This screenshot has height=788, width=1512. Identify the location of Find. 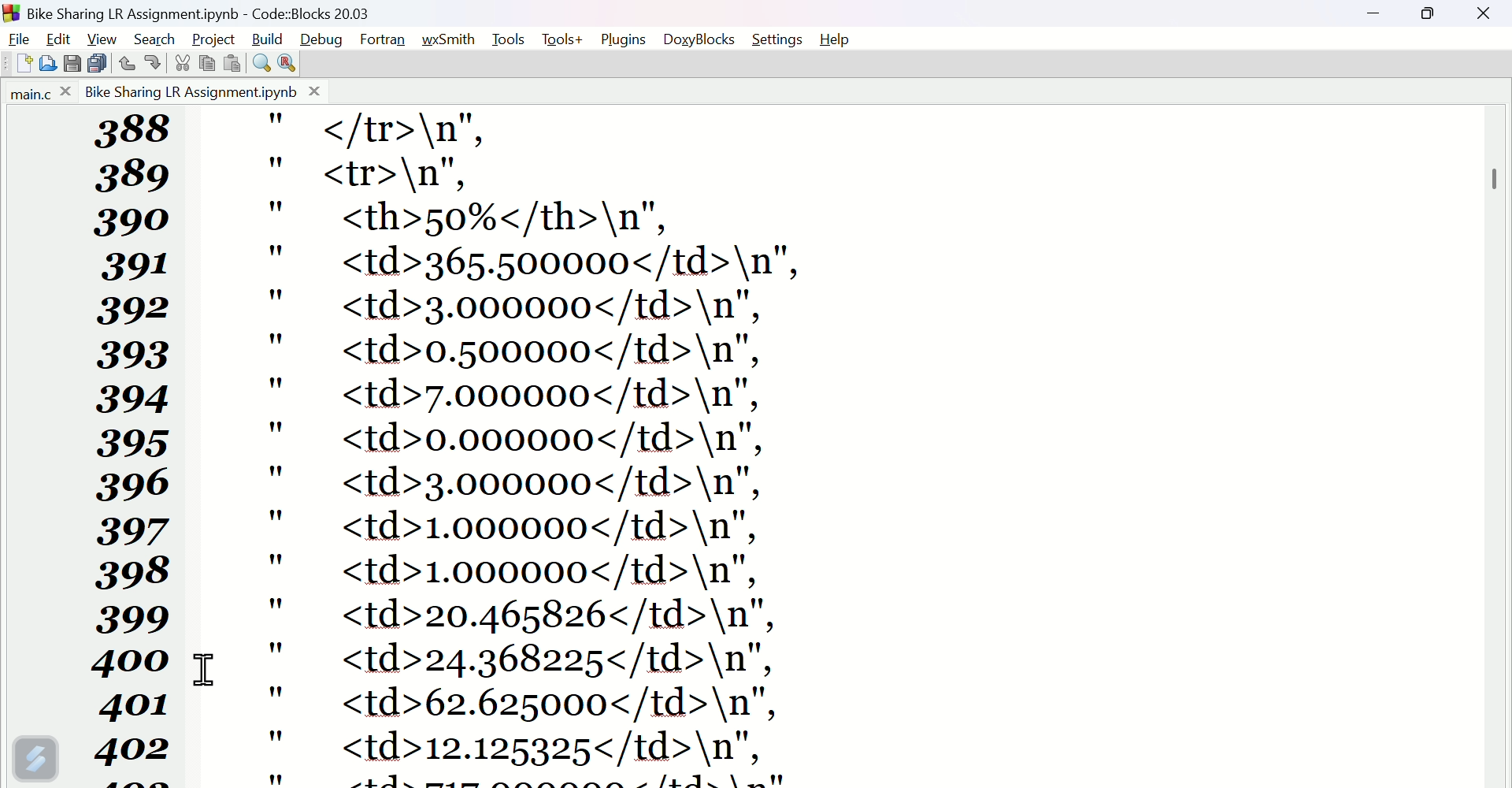
(258, 62).